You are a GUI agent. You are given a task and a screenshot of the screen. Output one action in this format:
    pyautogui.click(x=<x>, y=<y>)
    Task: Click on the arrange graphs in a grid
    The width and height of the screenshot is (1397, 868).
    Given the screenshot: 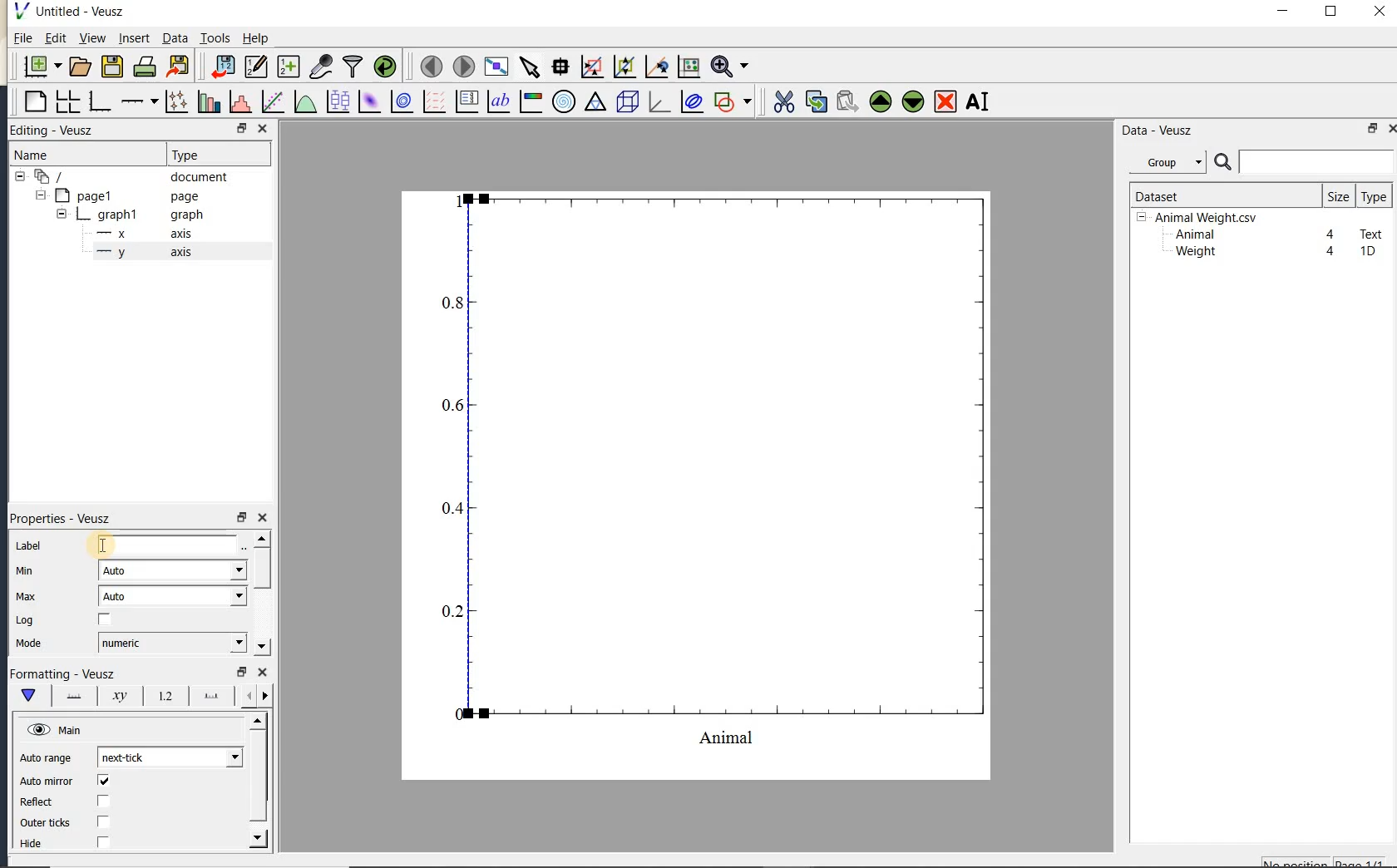 What is the action you would take?
    pyautogui.click(x=67, y=101)
    